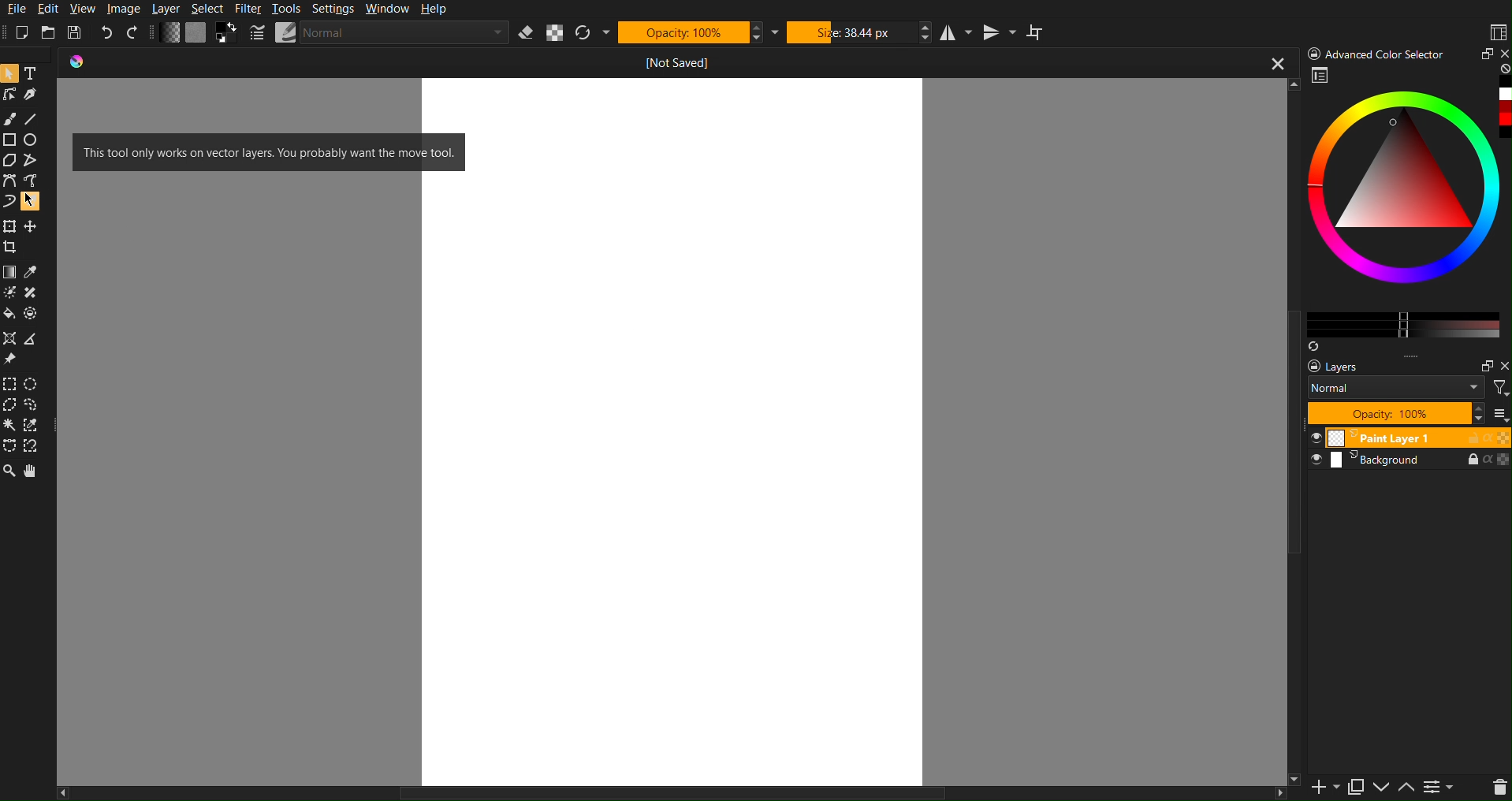 Image resolution: width=1512 pixels, height=801 pixels. I want to click on Image, so click(125, 8).